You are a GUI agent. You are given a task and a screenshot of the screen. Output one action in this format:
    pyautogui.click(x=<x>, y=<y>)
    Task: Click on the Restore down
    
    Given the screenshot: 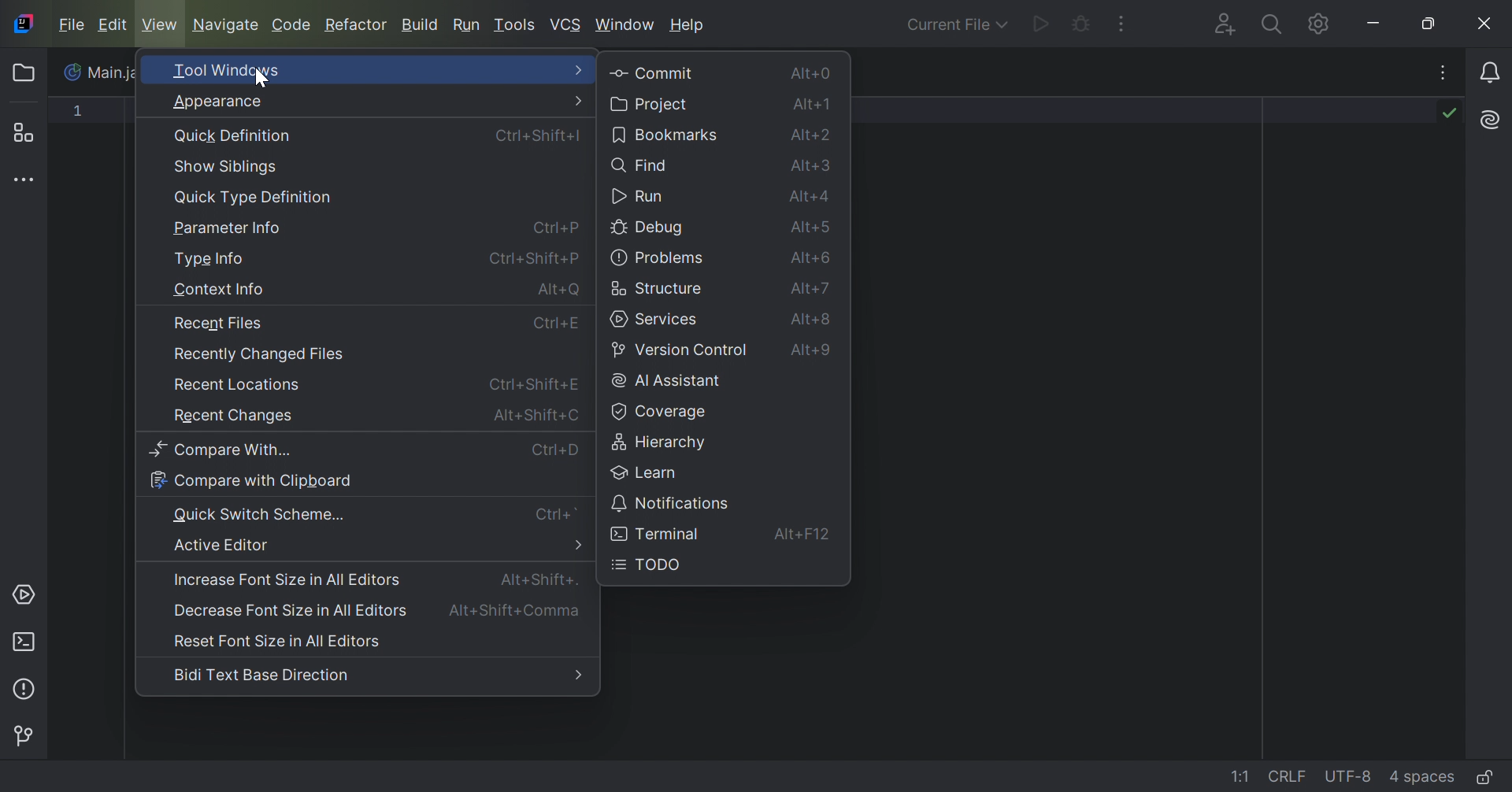 What is the action you would take?
    pyautogui.click(x=1434, y=24)
    